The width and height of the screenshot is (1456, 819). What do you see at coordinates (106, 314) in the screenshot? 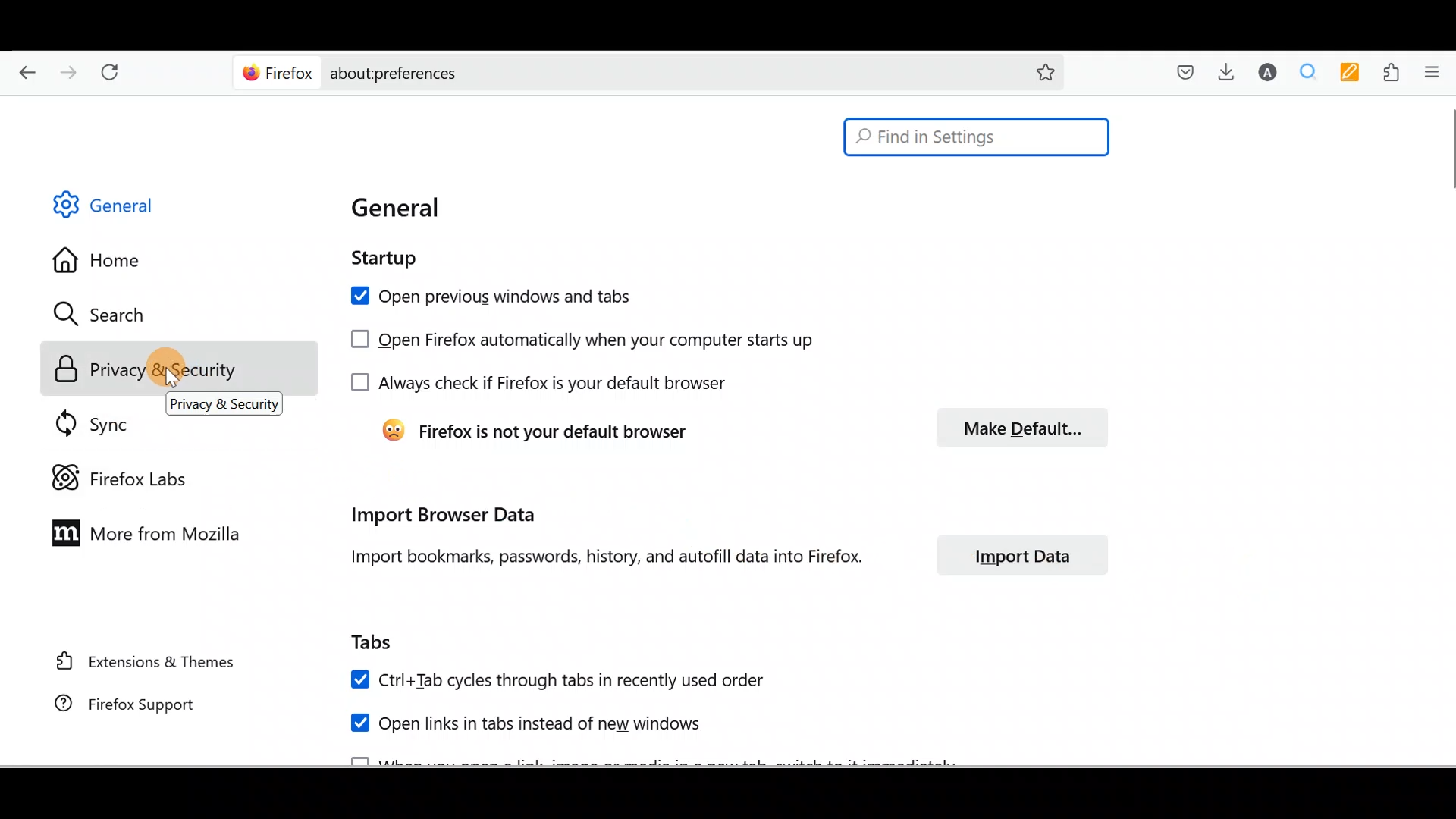
I see `Search` at bounding box center [106, 314].